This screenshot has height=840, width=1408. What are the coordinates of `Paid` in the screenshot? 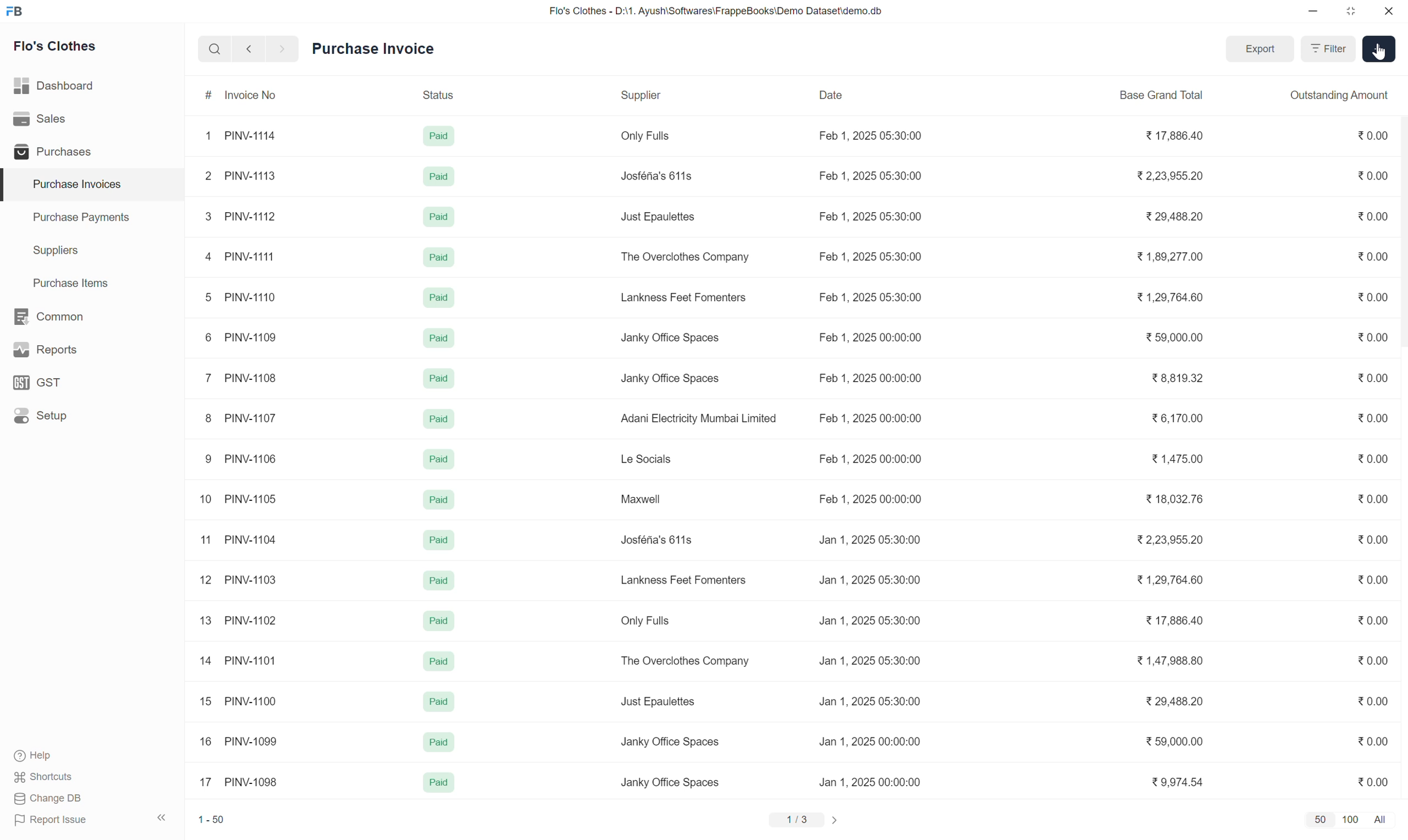 It's located at (439, 661).